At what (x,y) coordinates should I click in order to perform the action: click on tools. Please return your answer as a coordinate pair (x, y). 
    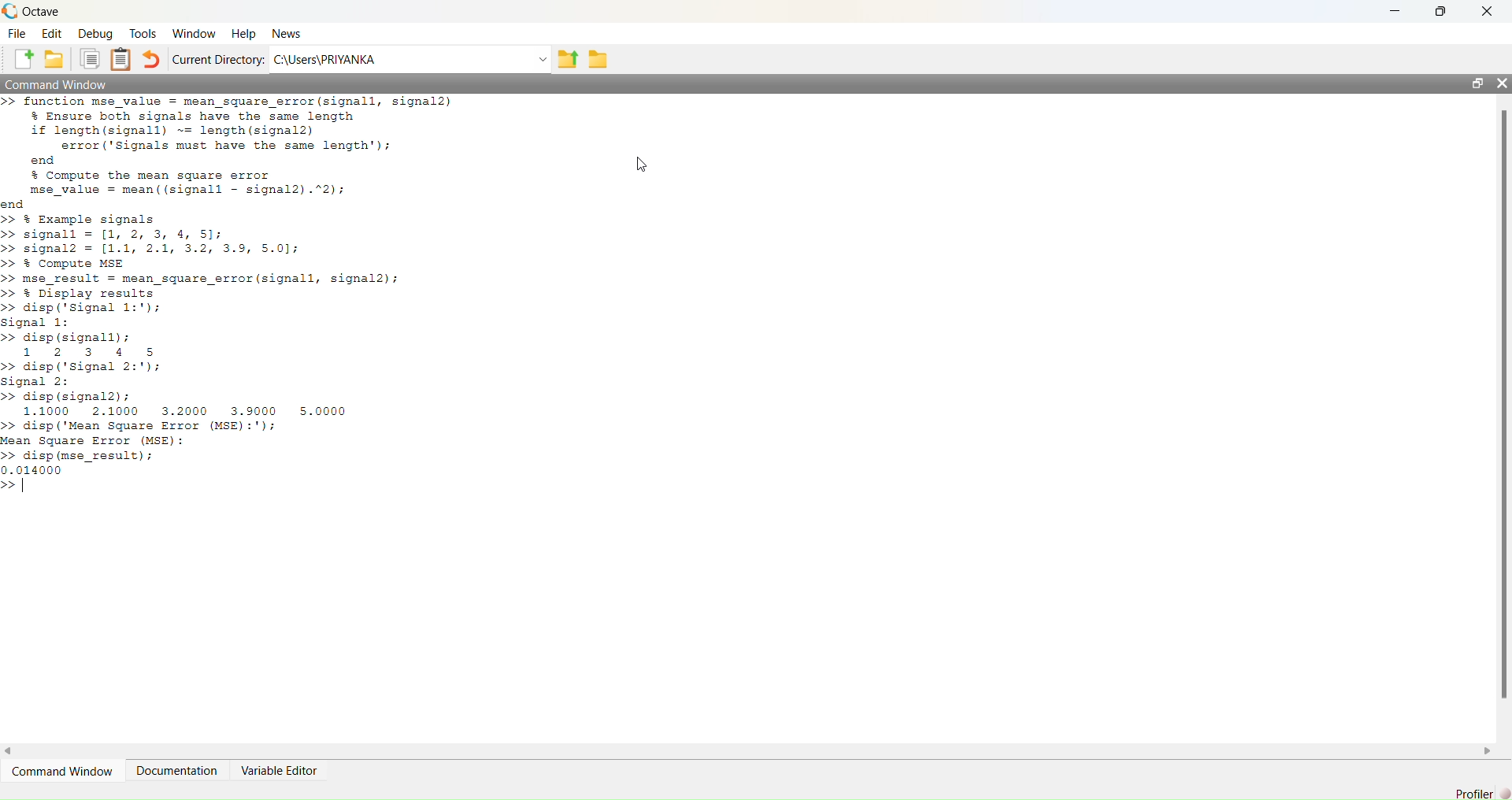
    Looking at the image, I should click on (142, 32).